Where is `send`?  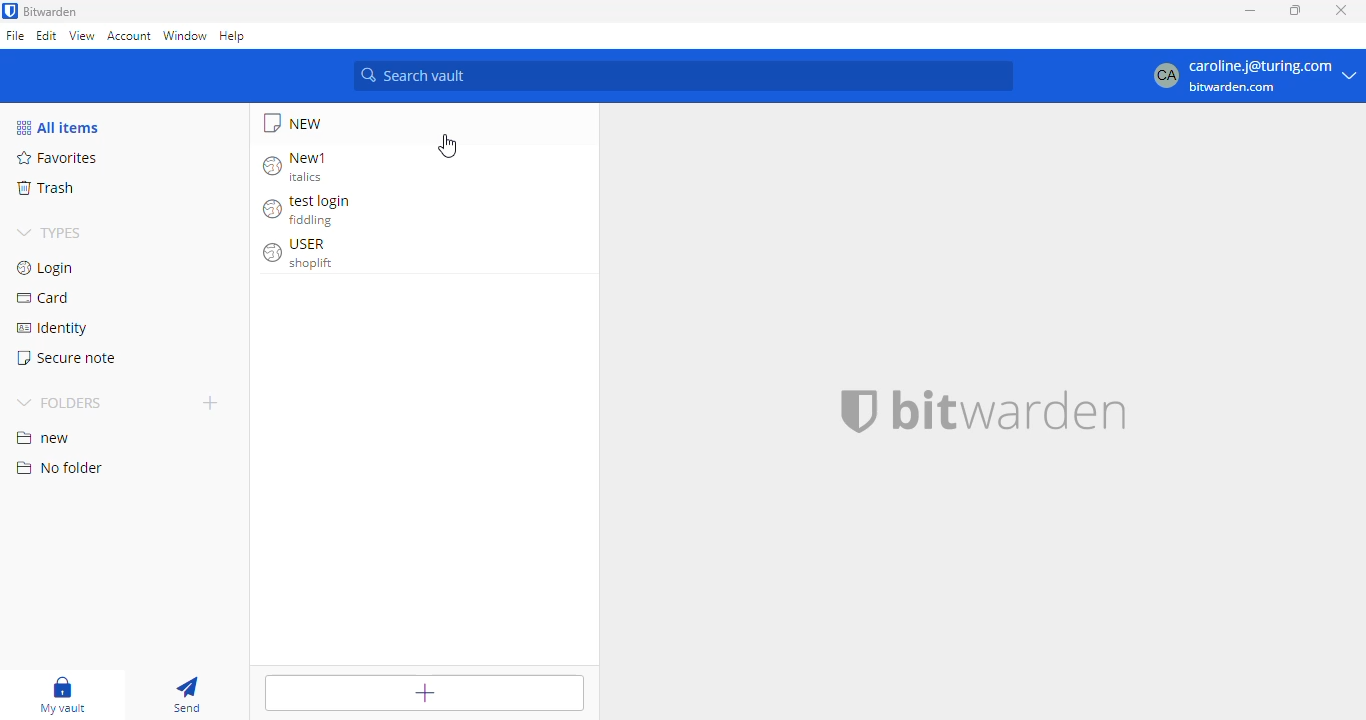
send is located at coordinates (188, 695).